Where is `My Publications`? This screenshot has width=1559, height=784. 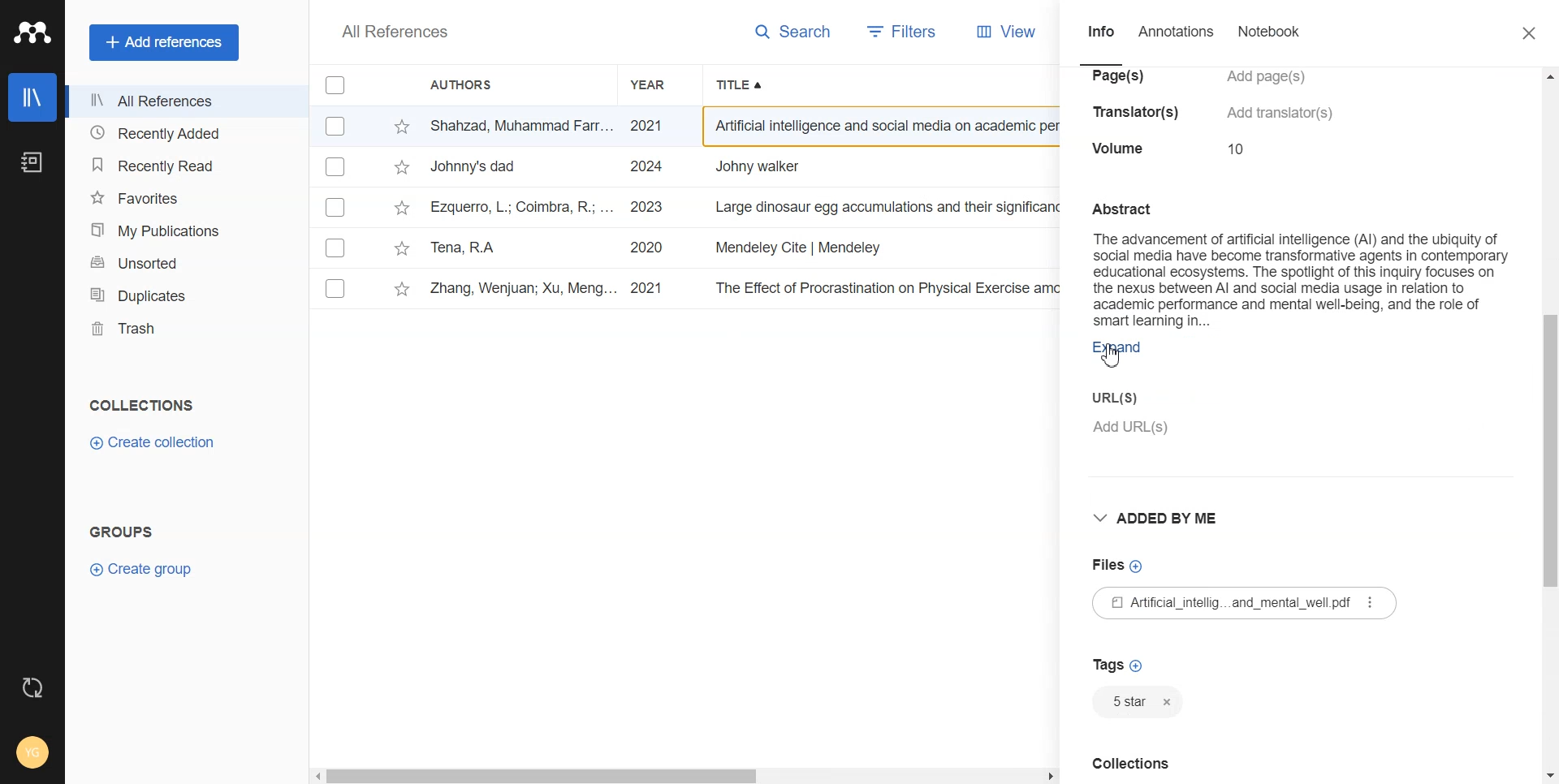 My Publications is located at coordinates (175, 231).